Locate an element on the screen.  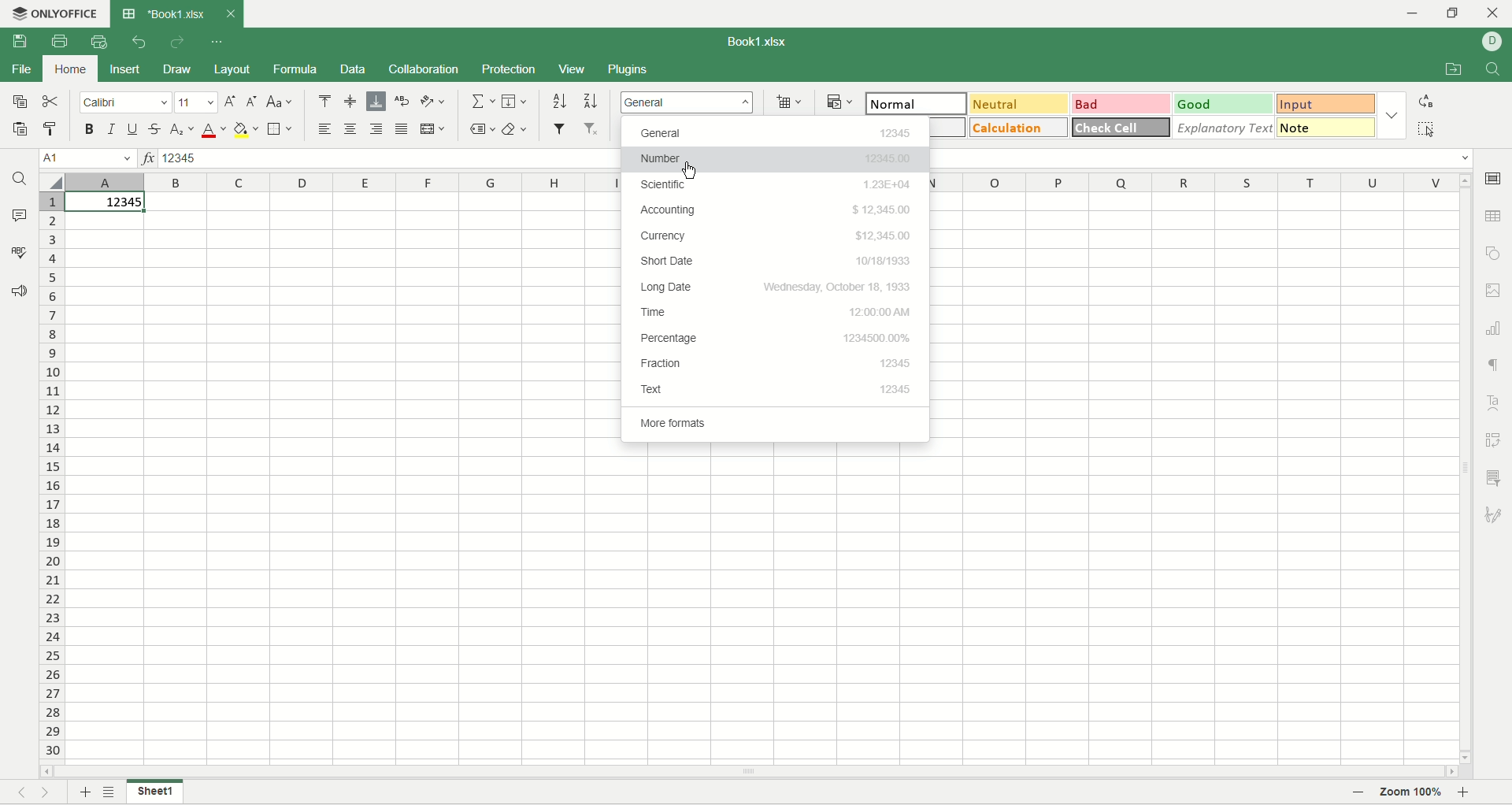
normal is located at coordinates (917, 103).